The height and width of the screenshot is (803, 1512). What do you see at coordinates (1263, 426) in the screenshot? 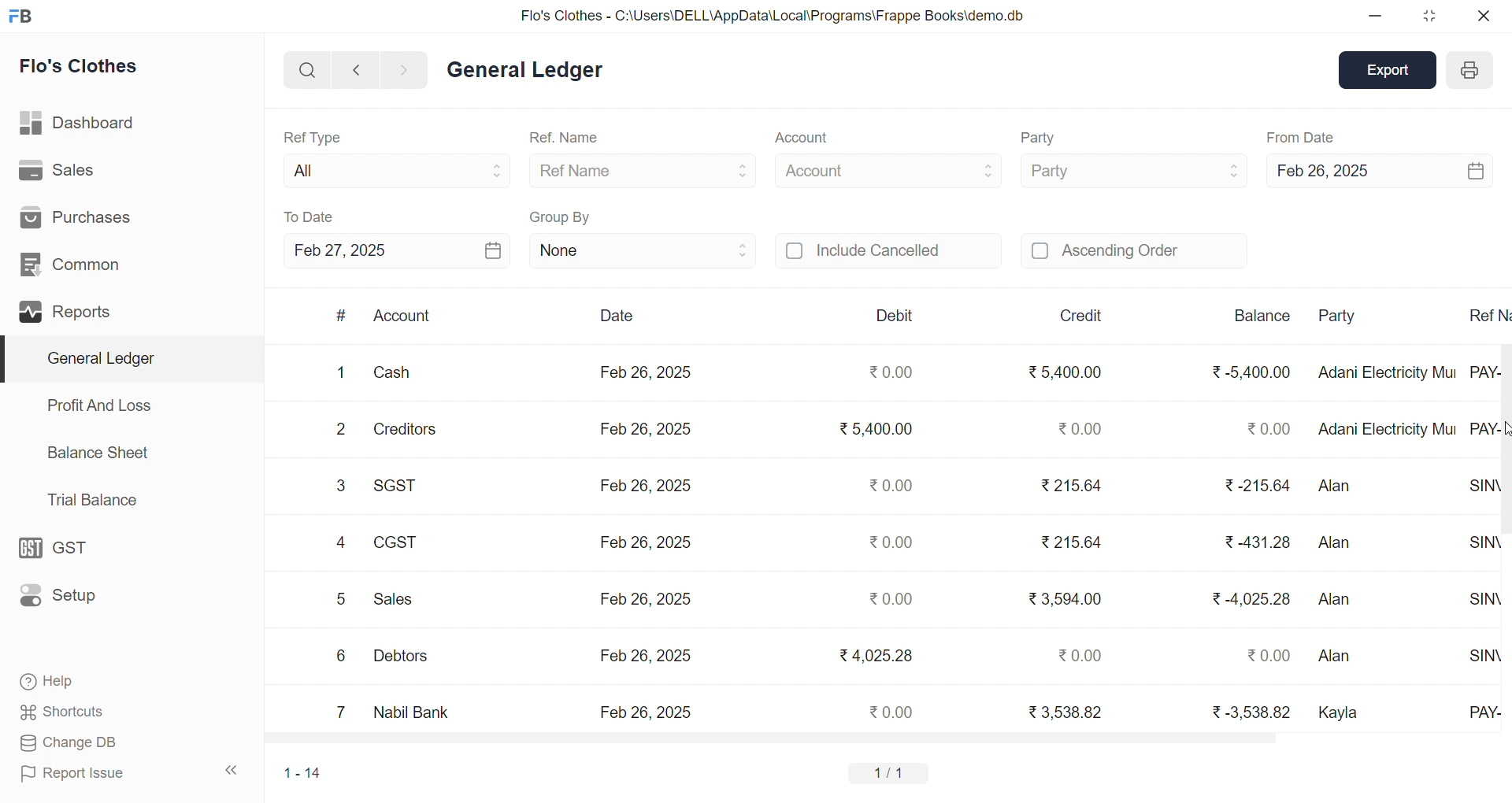
I see `₹ 0.00` at bounding box center [1263, 426].